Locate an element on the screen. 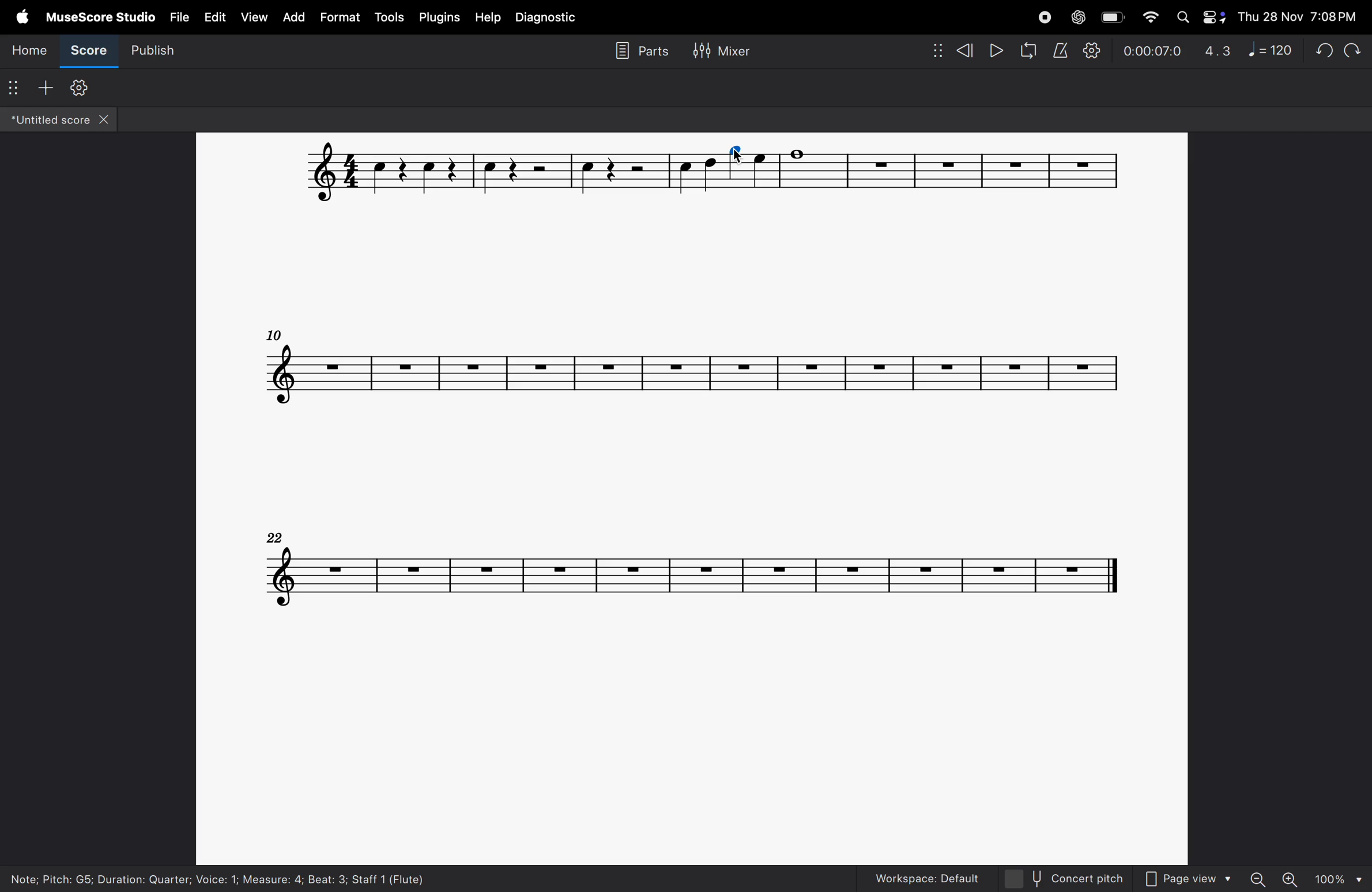 This screenshot has height=892, width=1372. 0.00.07.0 is located at coordinates (1152, 48).